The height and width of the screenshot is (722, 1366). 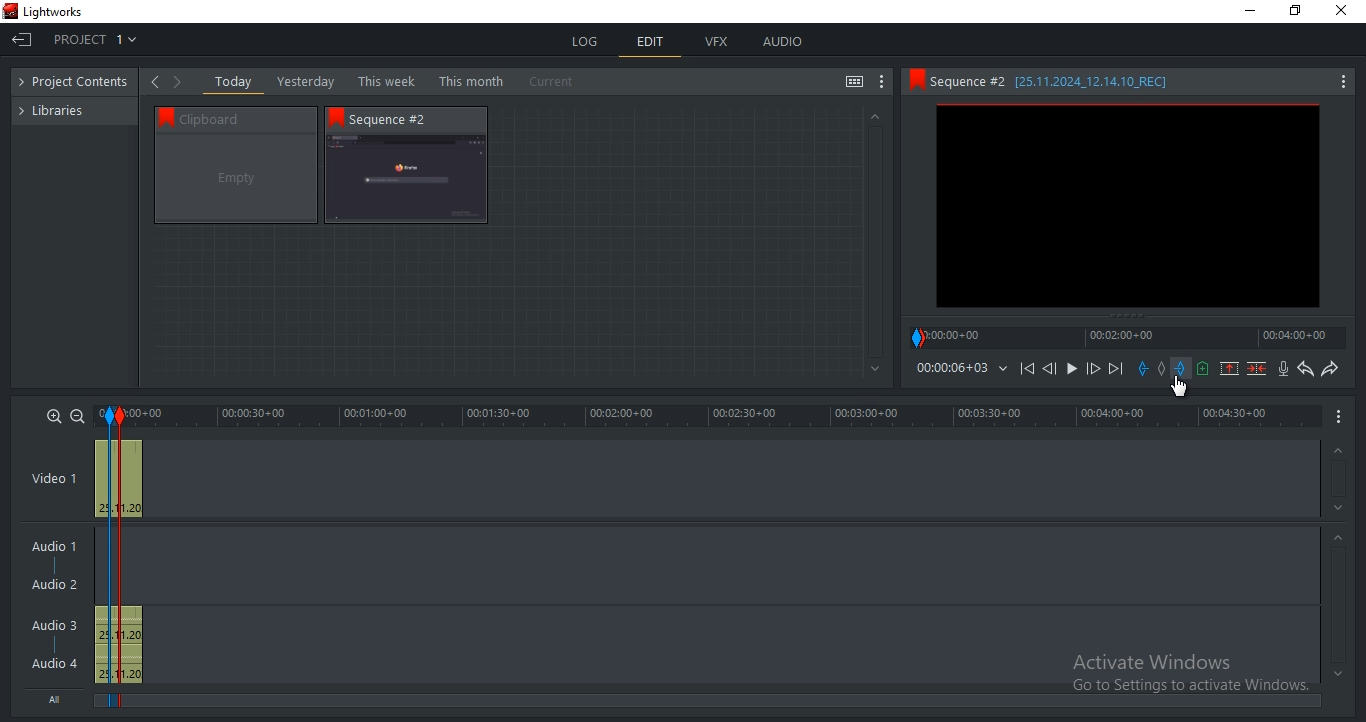 What do you see at coordinates (854, 83) in the screenshot?
I see `toggle ` at bounding box center [854, 83].